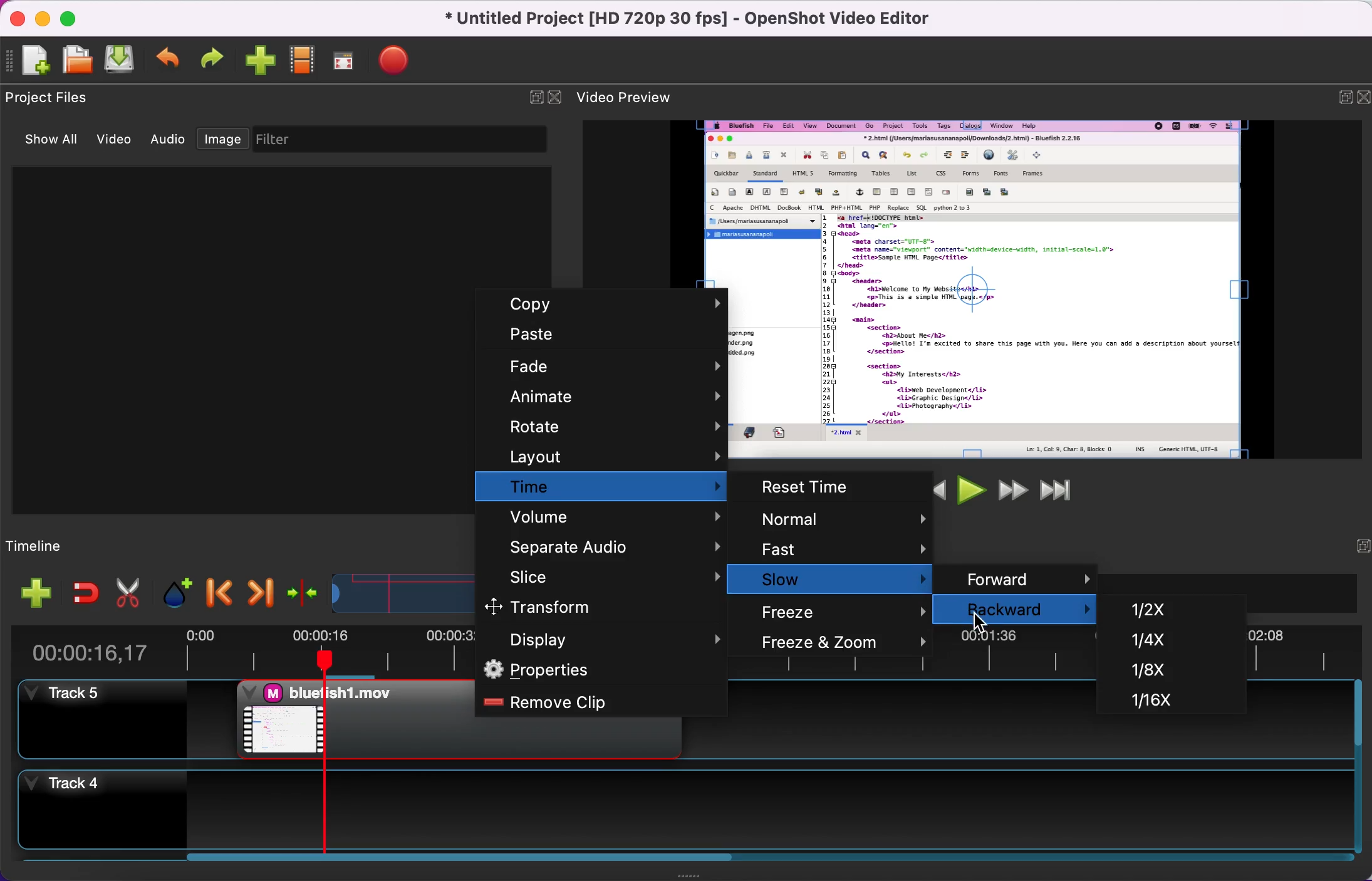 The image size is (1372, 881). What do you see at coordinates (1361, 98) in the screenshot?
I see `close` at bounding box center [1361, 98].